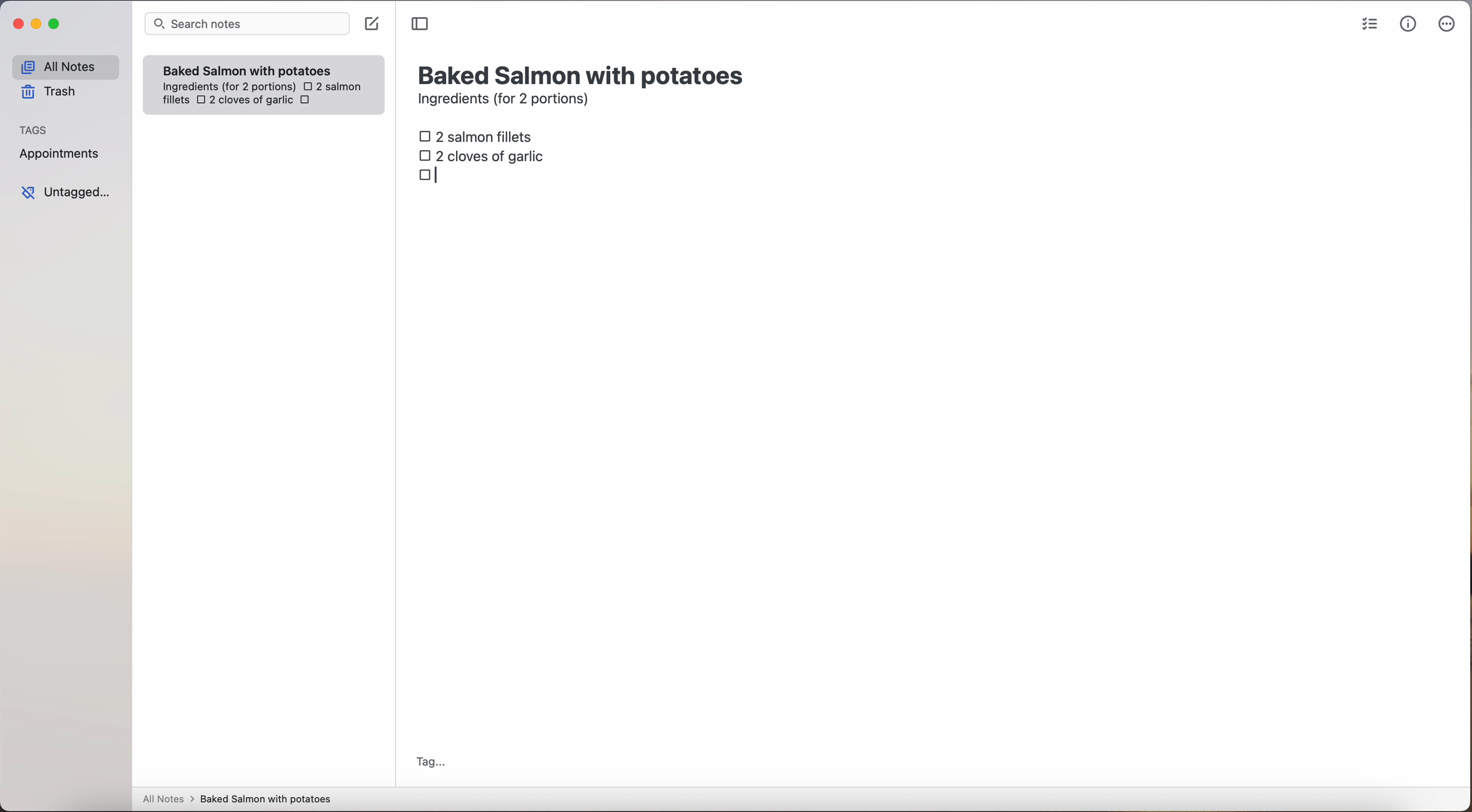 The width and height of the screenshot is (1472, 812). What do you see at coordinates (421, 25) in the screenshot?
I see `toggle sidebar` at bounding box center [421, 25].